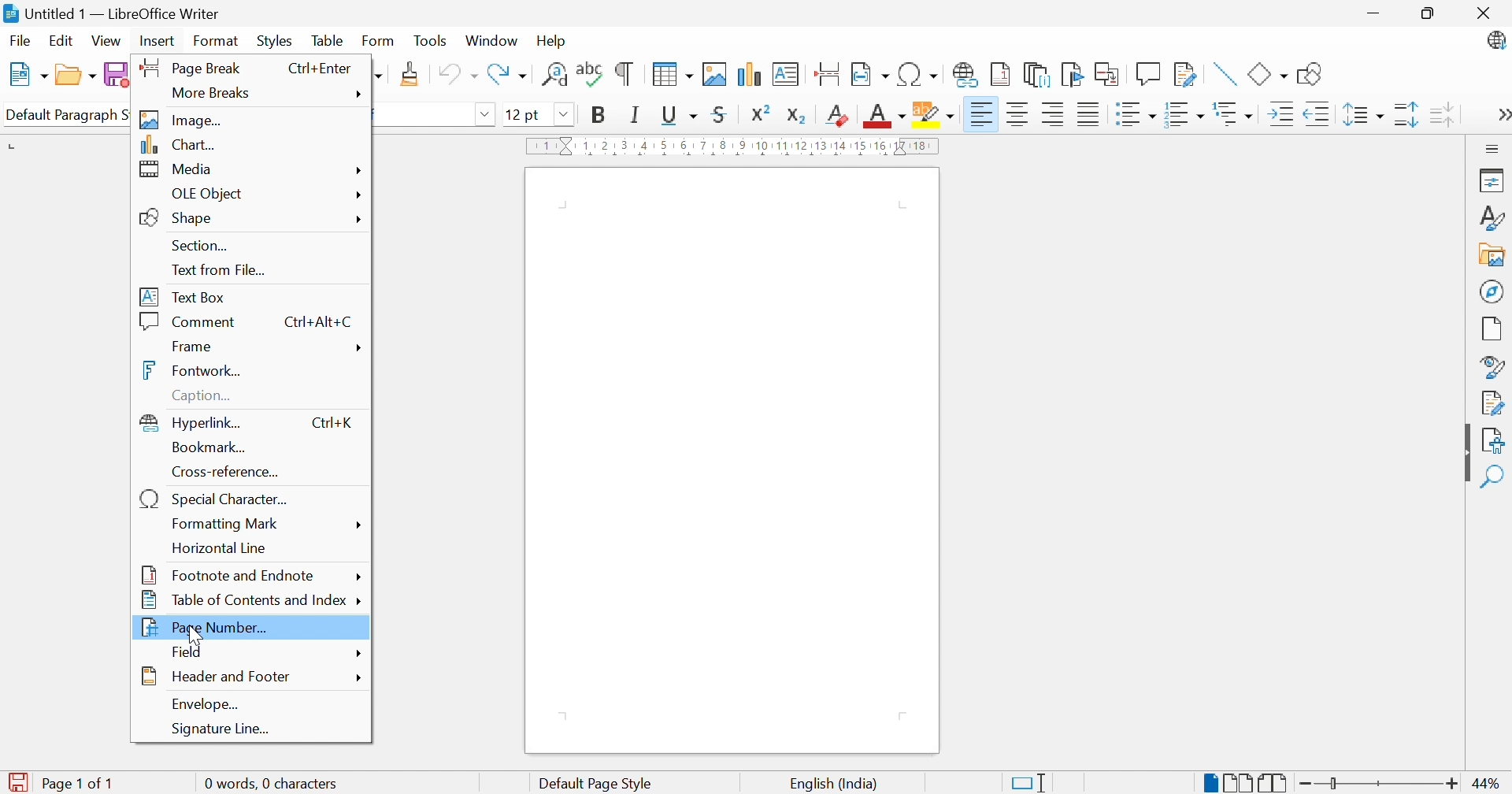 This screenshot has height=794, width=1512. What do you see at coordinates (508, 76) in the screenshot?
I see `Redo` at bounding box center [508, 76].